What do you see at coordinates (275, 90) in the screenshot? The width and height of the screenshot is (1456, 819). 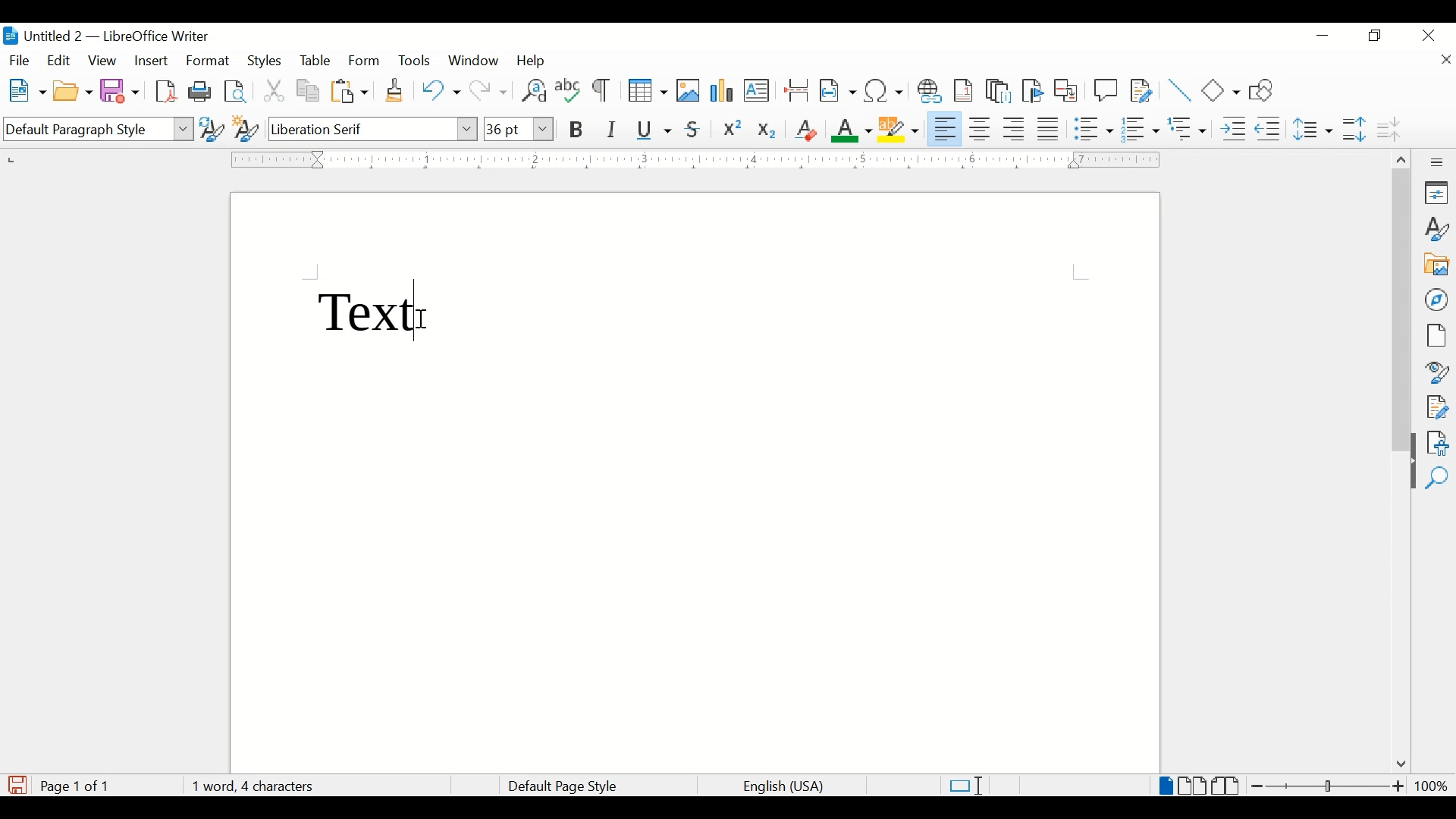 I see `cut` at bounding box center [275, 90].